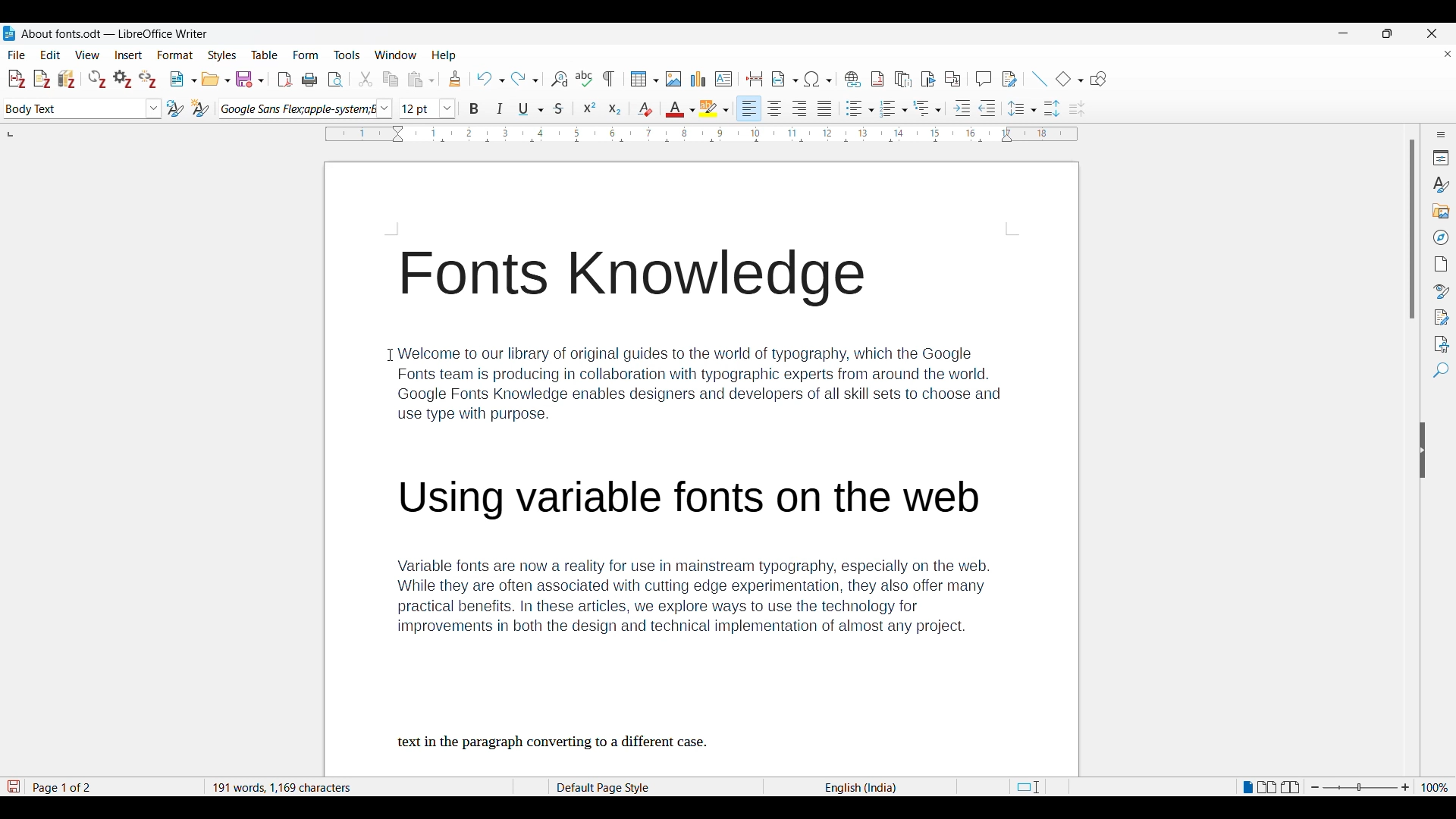 This screenshot has height=819, width=1456. What do you see at coordinates (428, 108) in the screenshot?
I see `Font size` at bounding box center [428, 108].